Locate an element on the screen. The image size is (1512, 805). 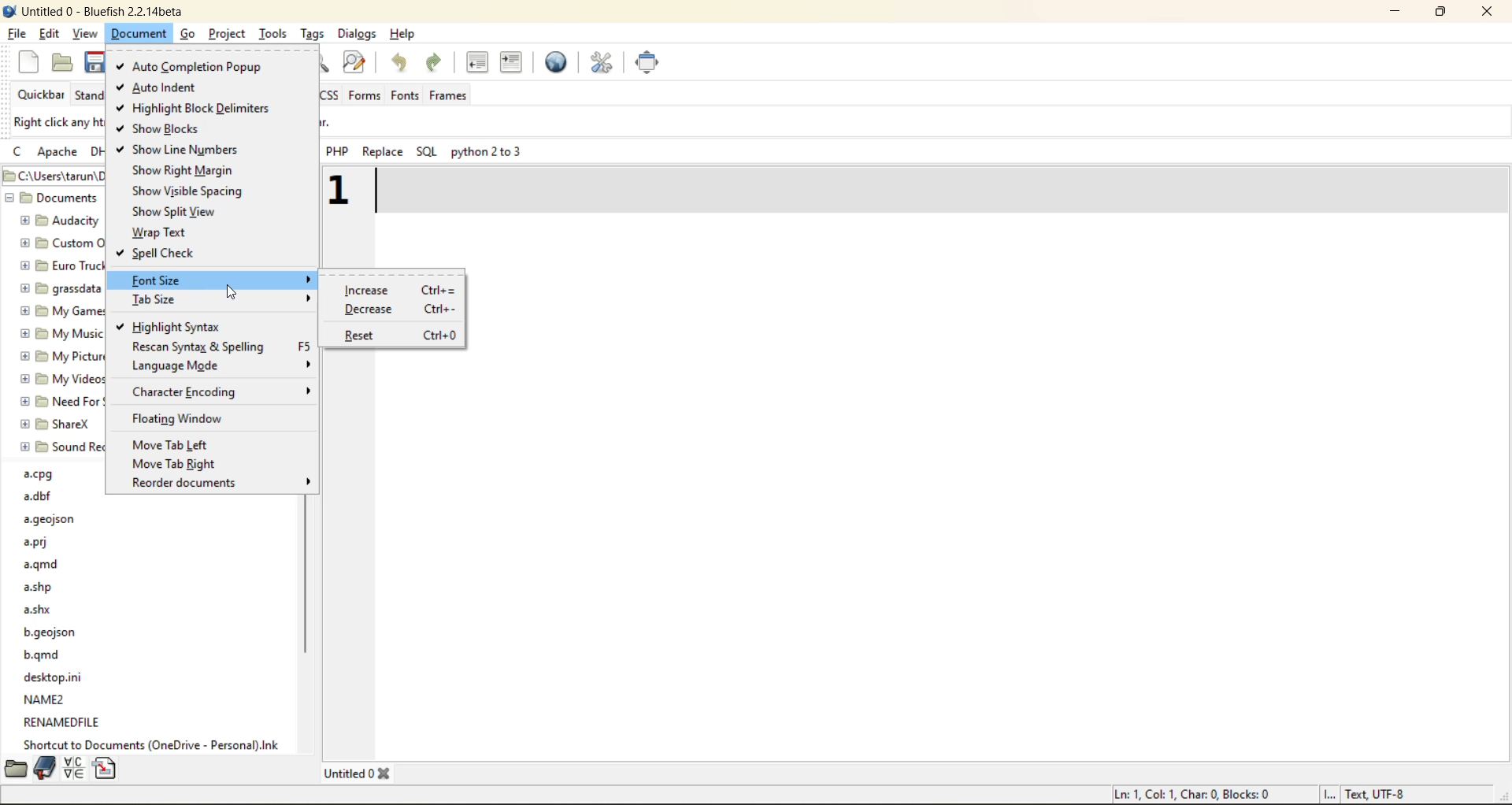
rescan syntax and spelling is located at coordinates (219, 347).